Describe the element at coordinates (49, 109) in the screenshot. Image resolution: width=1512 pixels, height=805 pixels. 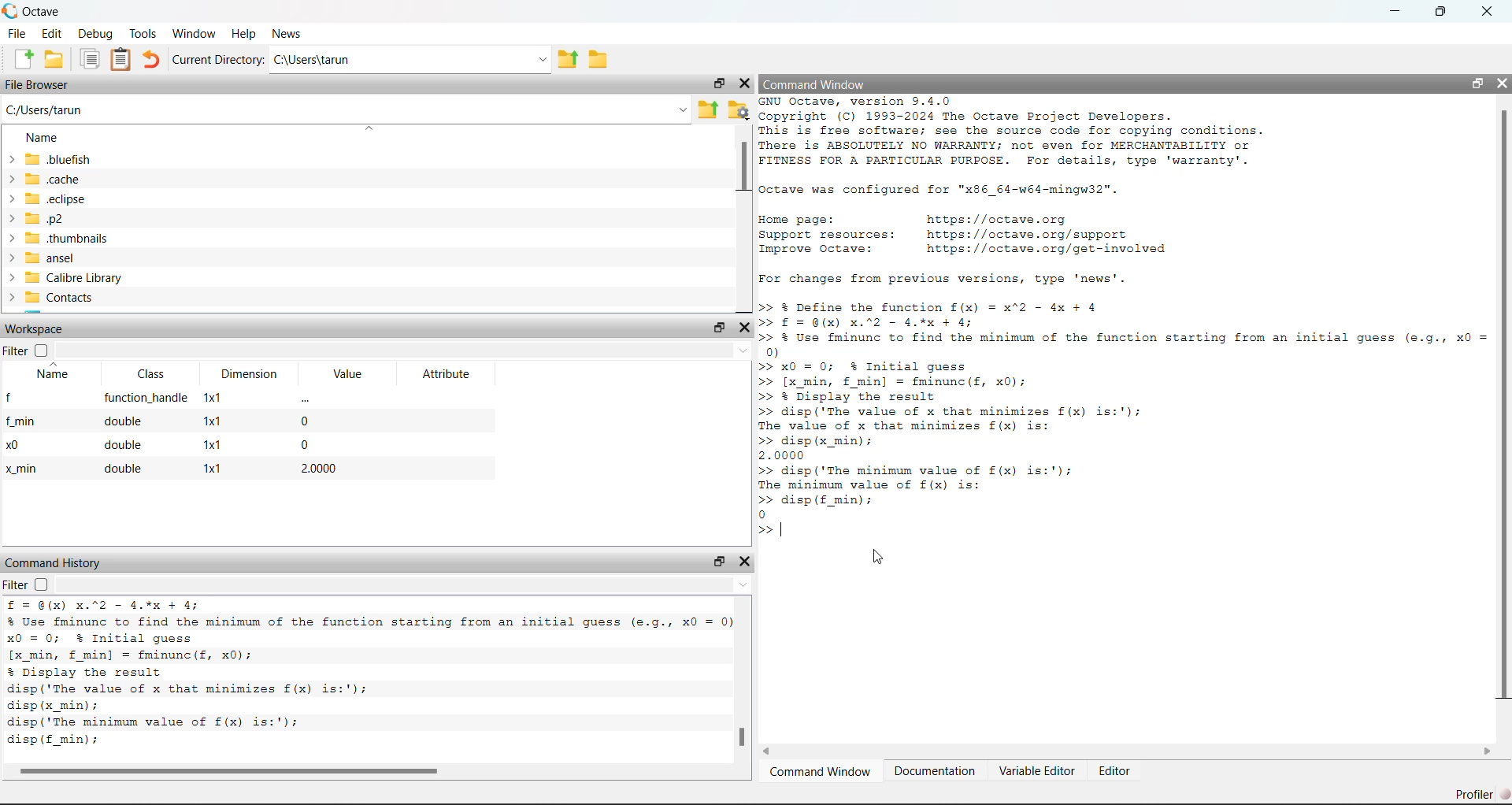
I see `C:/Users/tarun` at that location.